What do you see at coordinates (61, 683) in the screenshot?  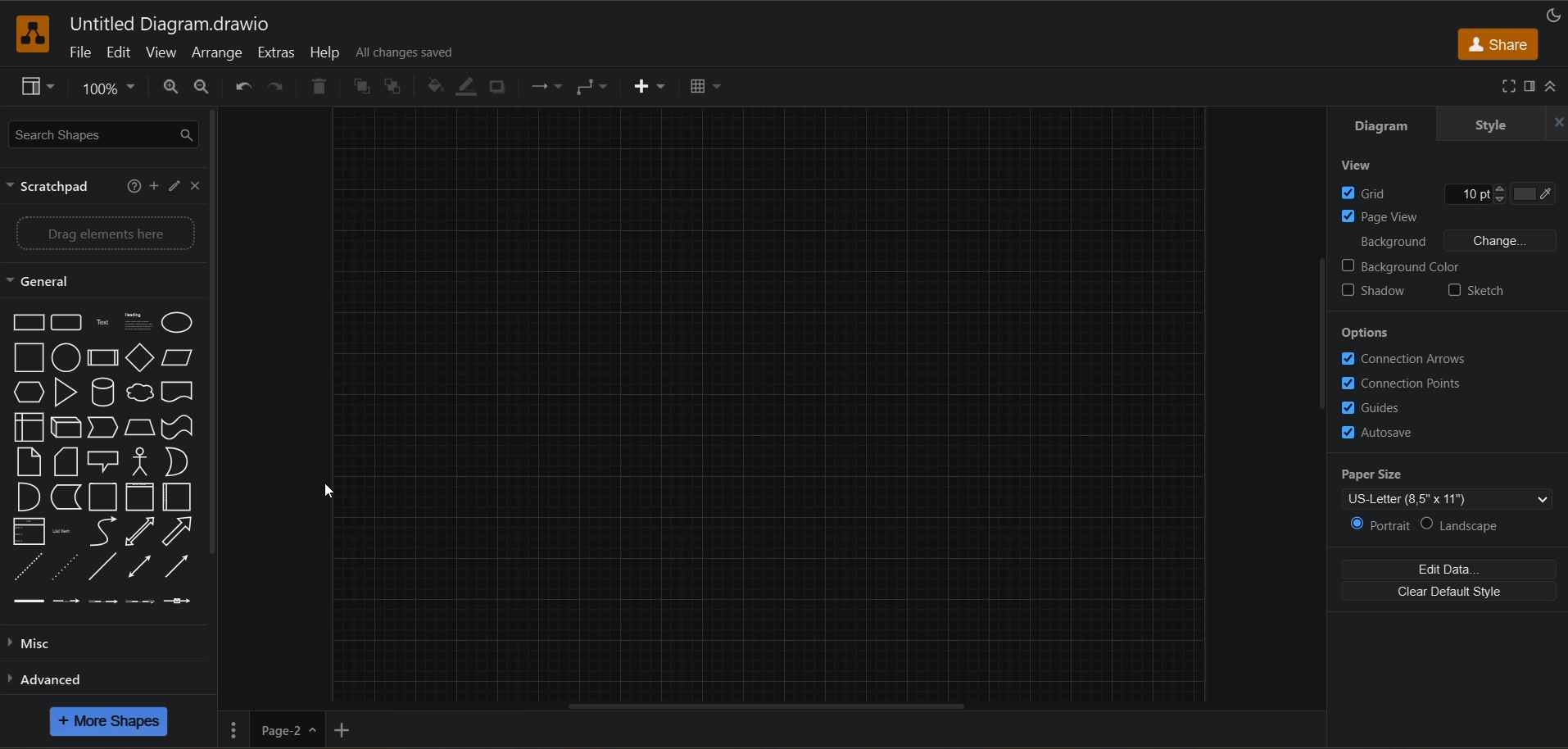 I see `advanced` at bounding box center [61, 683].